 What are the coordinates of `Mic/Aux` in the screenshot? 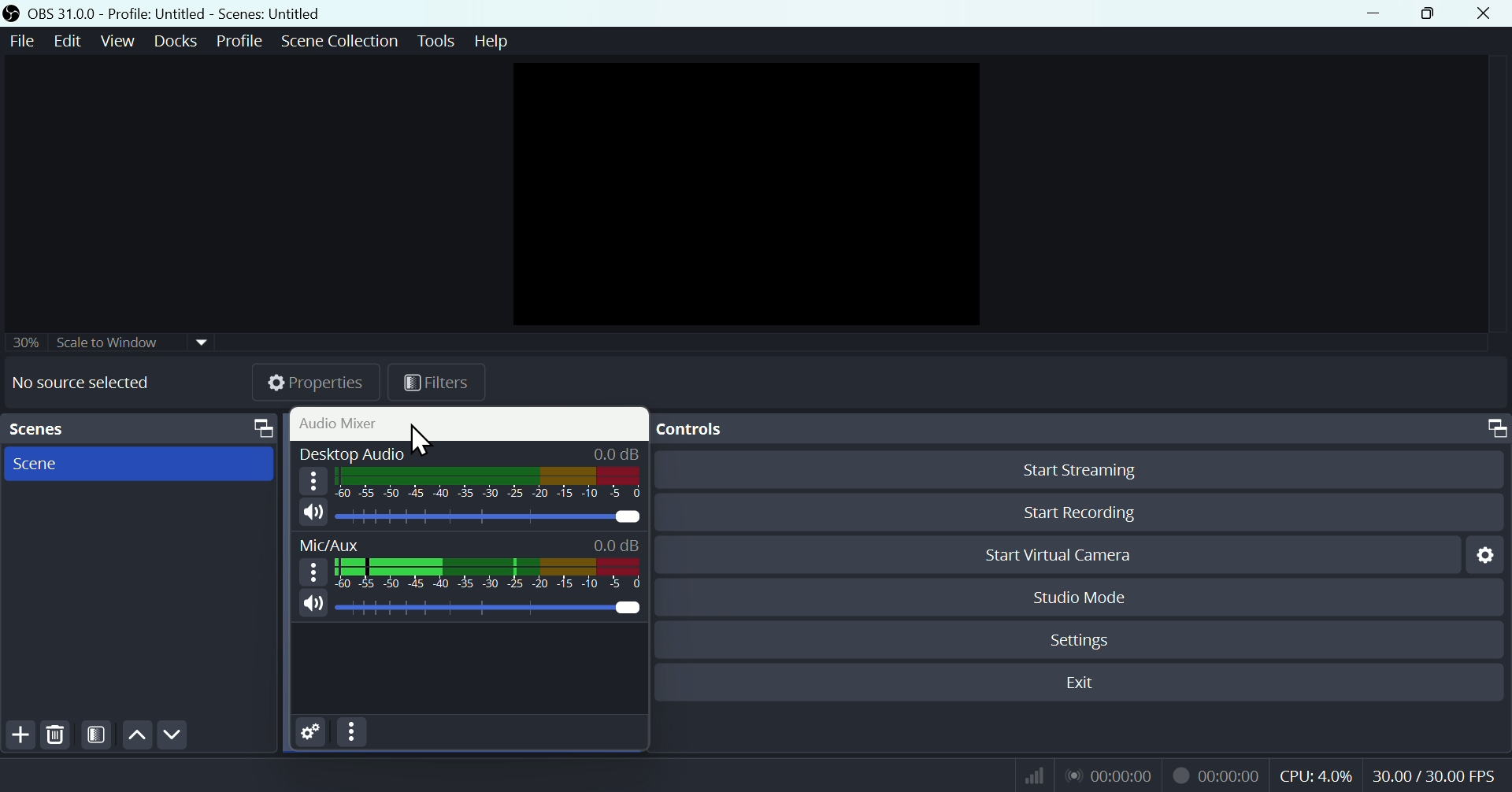 It's located at (485, 608).